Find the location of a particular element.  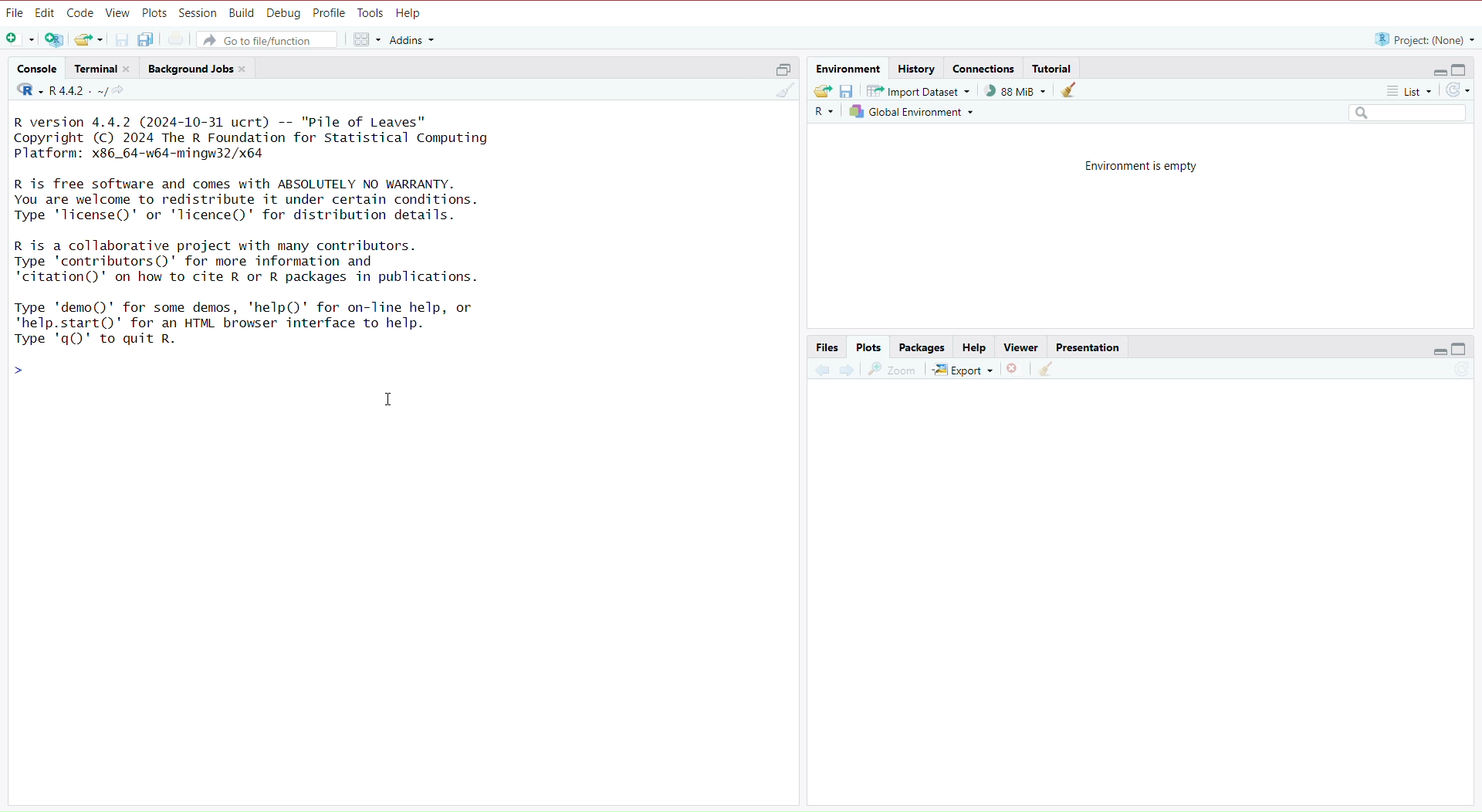

help is located at coordinates (411, 14).